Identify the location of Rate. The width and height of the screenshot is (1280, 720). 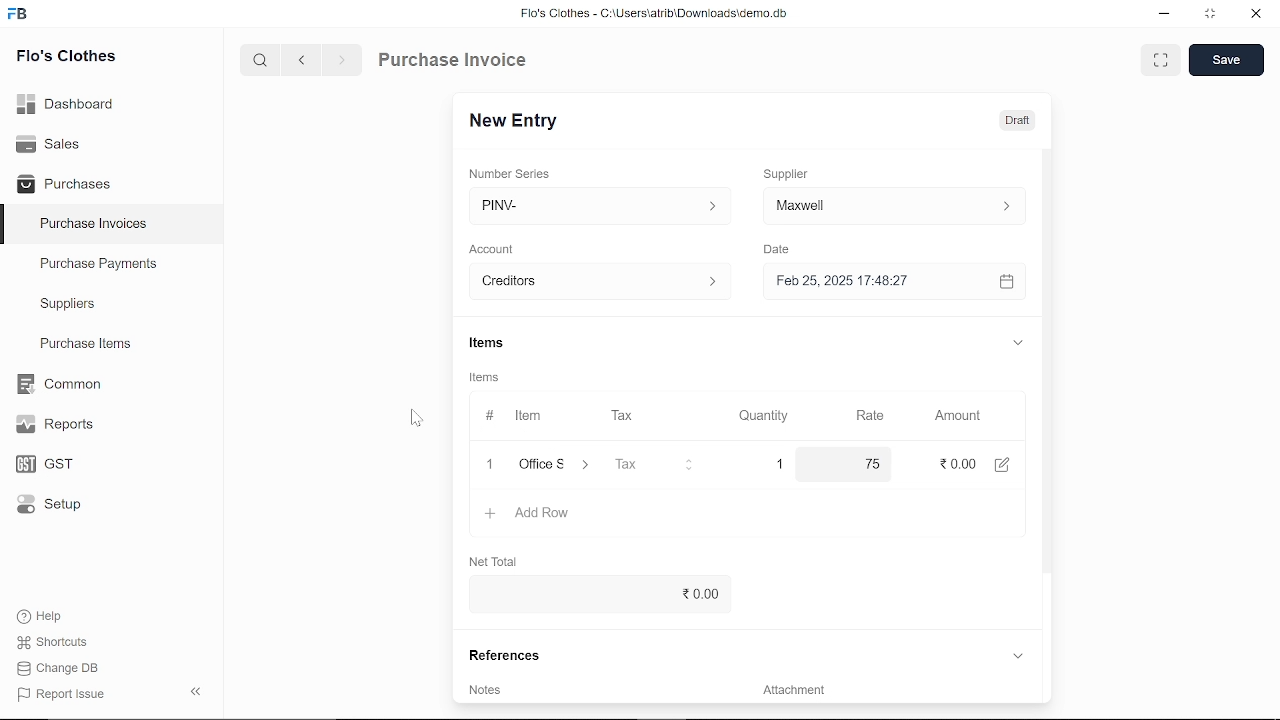
(867, 415).